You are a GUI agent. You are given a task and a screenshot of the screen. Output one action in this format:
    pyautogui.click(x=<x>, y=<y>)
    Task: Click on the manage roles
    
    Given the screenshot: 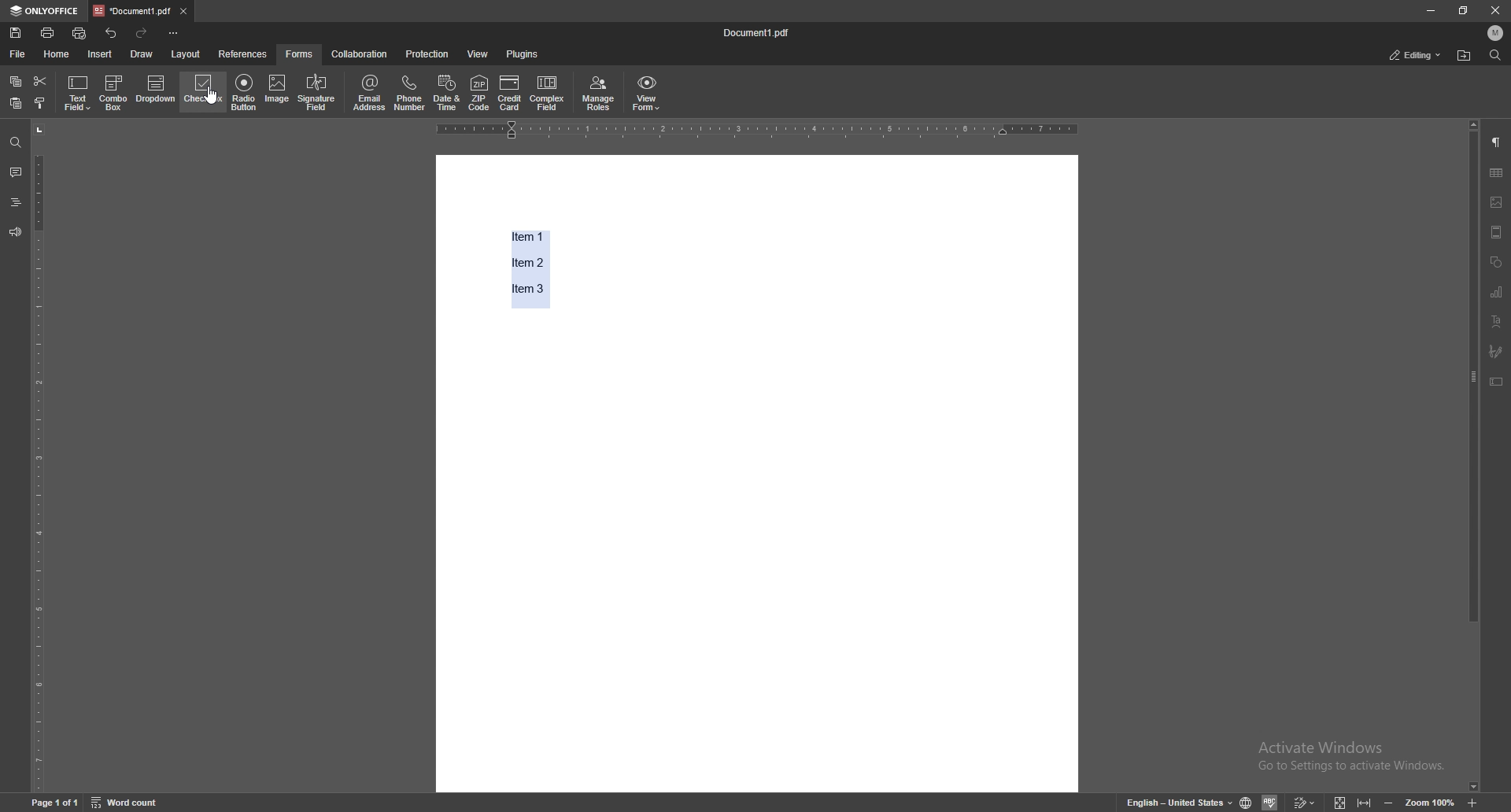 What is the action you would take?
    pyautogui.click(x=599, y=94)
    